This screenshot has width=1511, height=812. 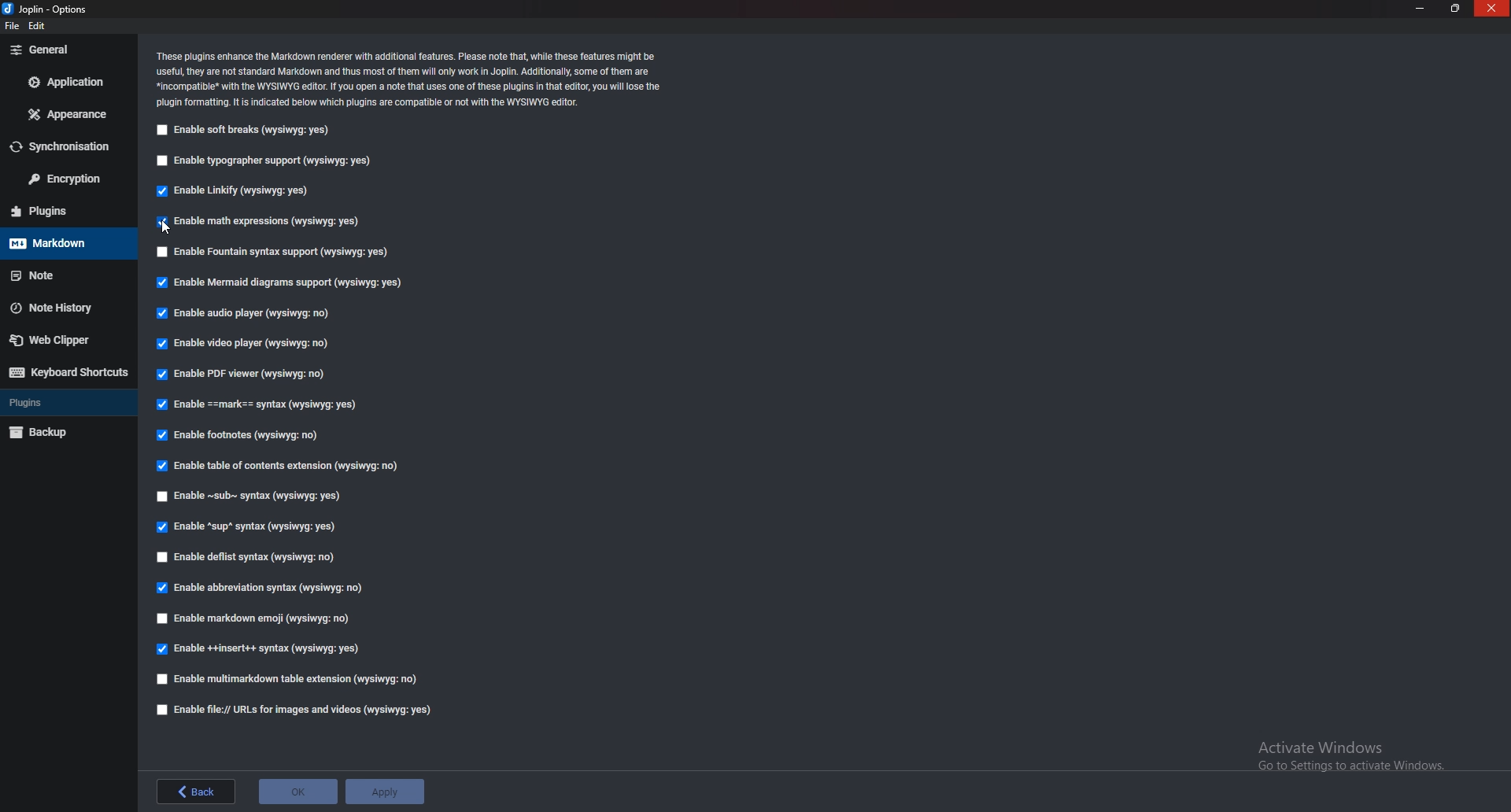 What do you see at coordinates (69, 80) in the screenshot?
I see `Application` at bounding box center [69, 80].